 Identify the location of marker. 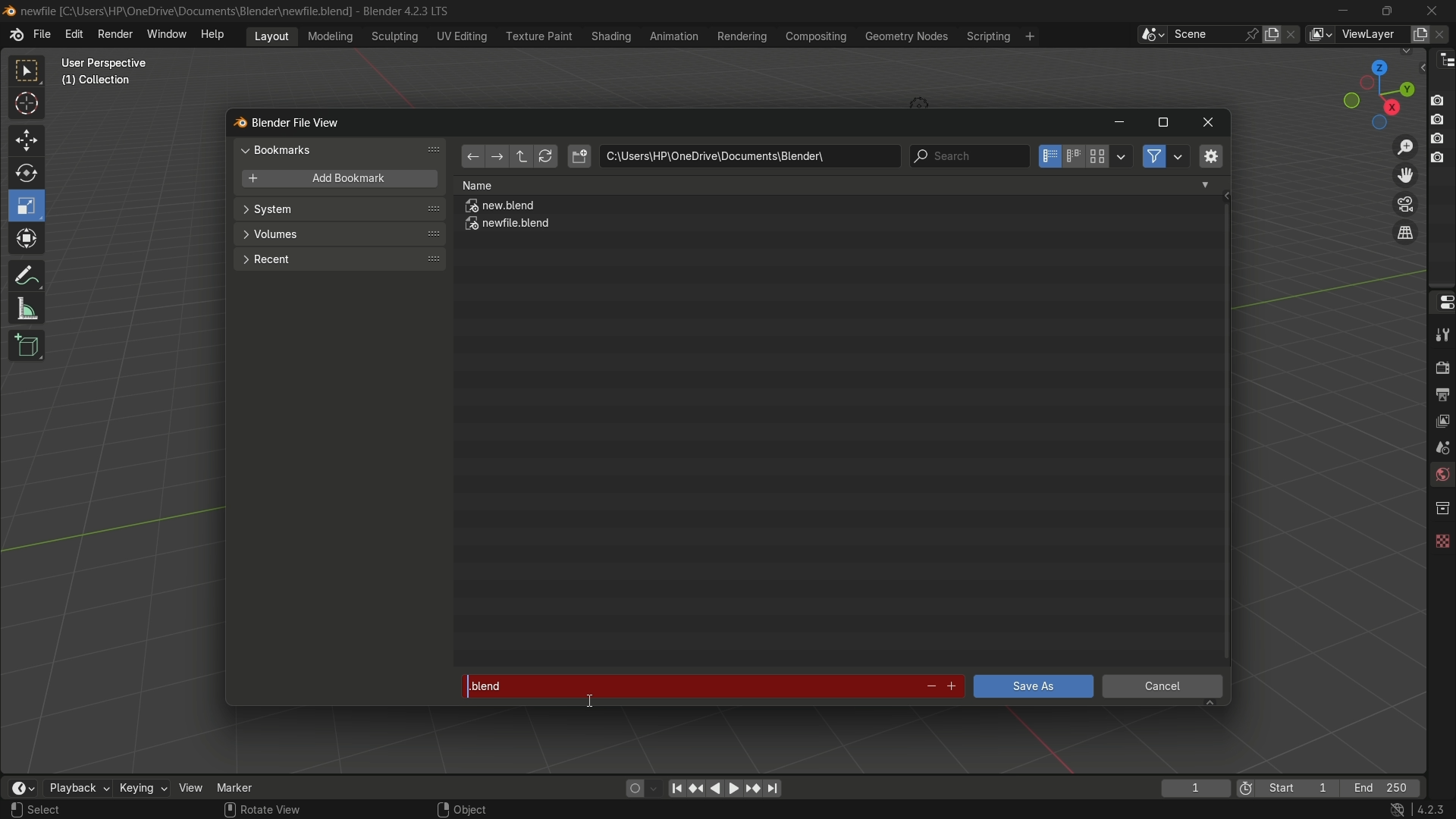
(246, 786).